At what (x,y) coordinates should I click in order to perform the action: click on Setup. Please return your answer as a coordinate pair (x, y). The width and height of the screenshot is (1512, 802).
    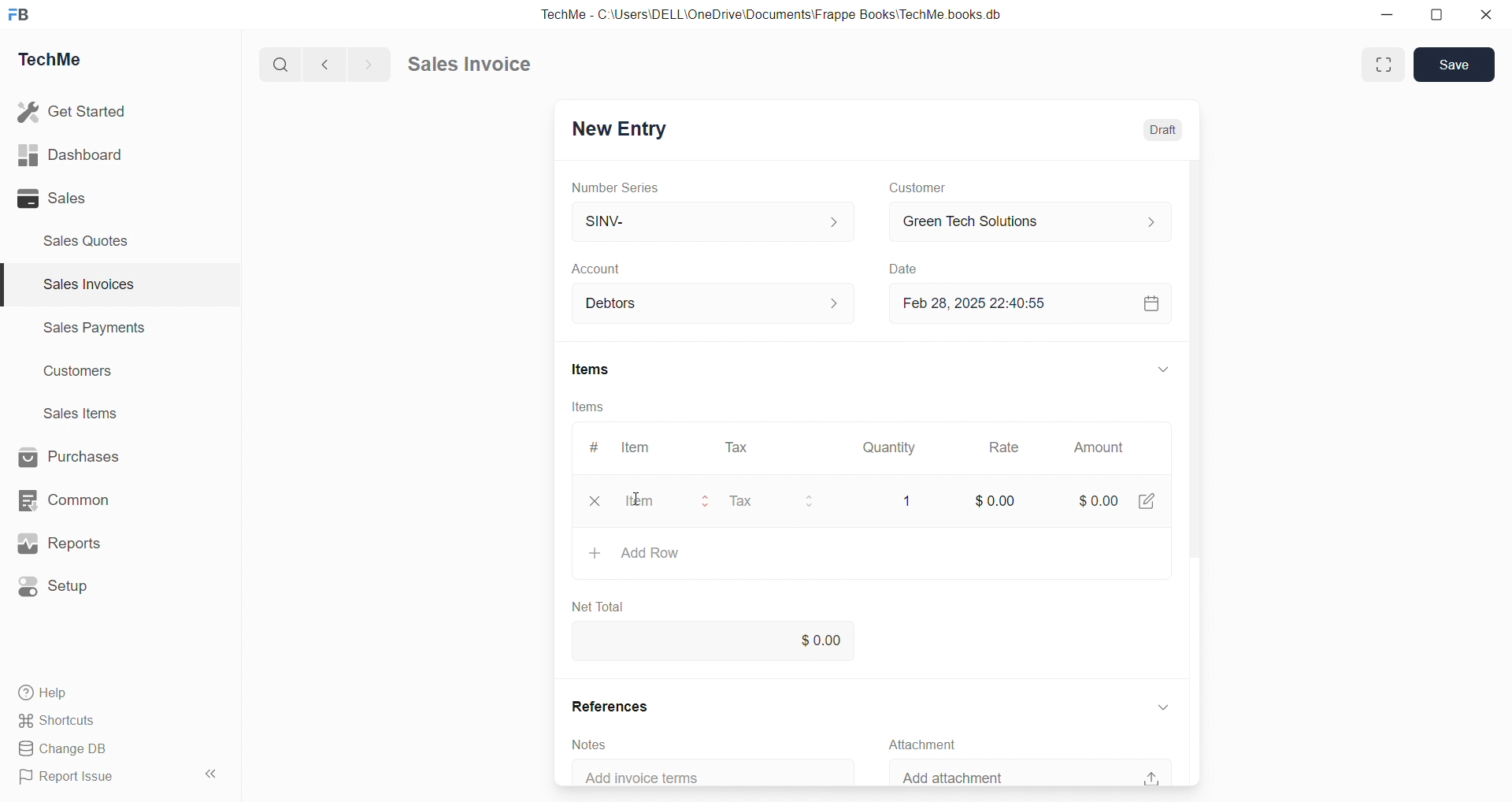
    Looking at the image, I should click on (55, 587).